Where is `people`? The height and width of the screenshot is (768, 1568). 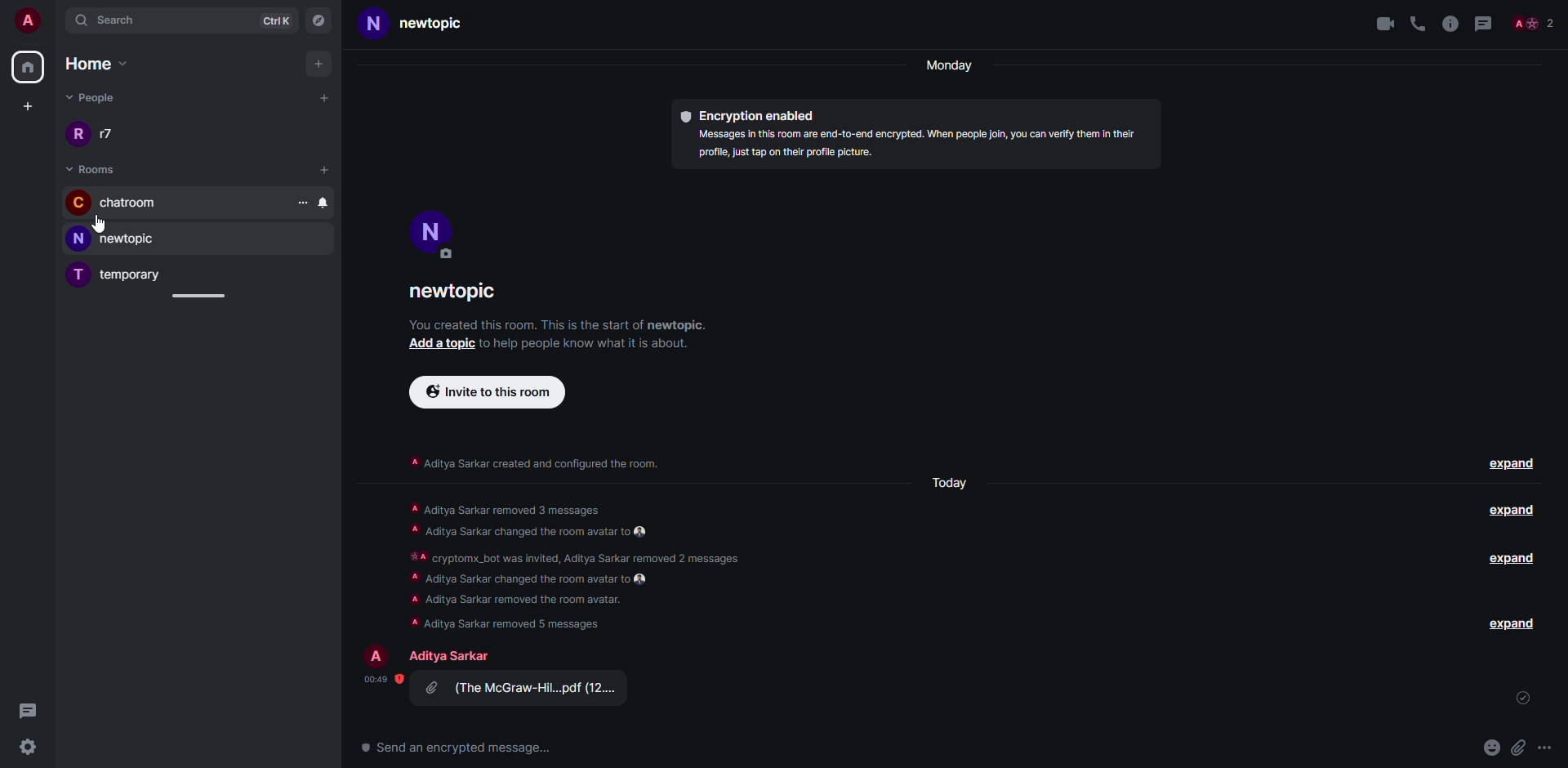 people is located at coordinates (453, 655).